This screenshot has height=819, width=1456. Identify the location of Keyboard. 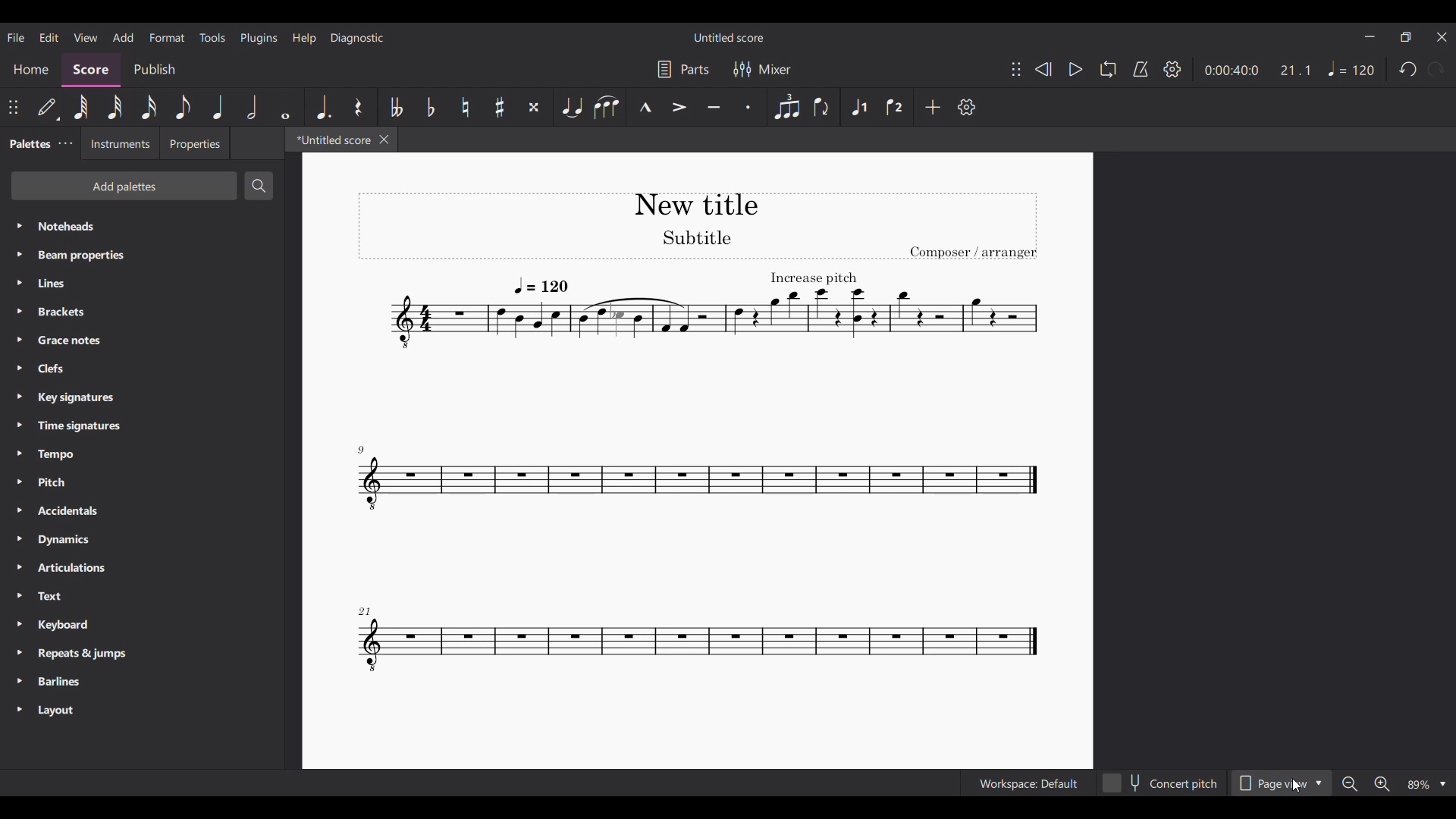
(140, 625).